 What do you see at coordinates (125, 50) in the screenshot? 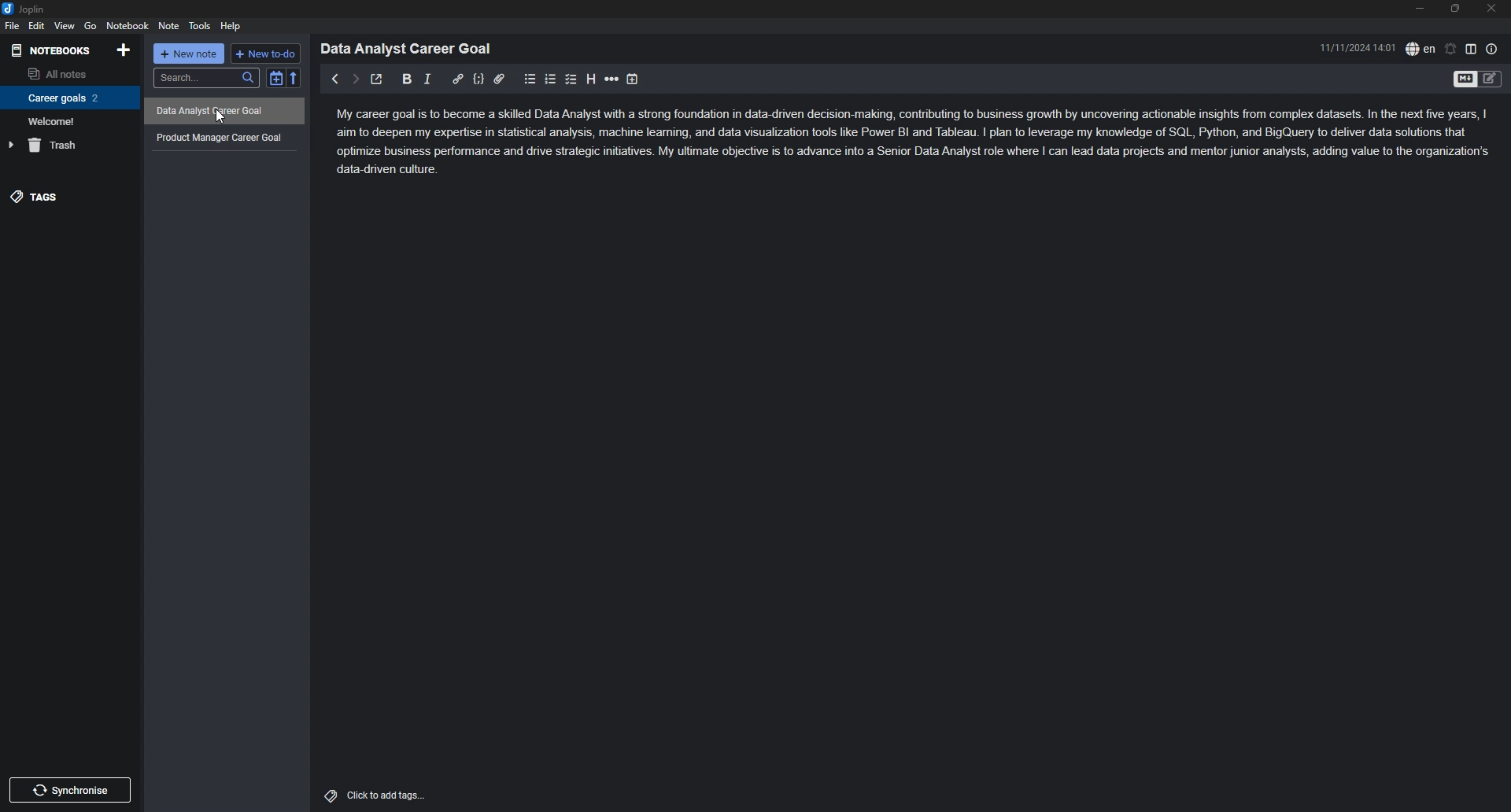
I see `add notebook` at bounding box center [125, 50].